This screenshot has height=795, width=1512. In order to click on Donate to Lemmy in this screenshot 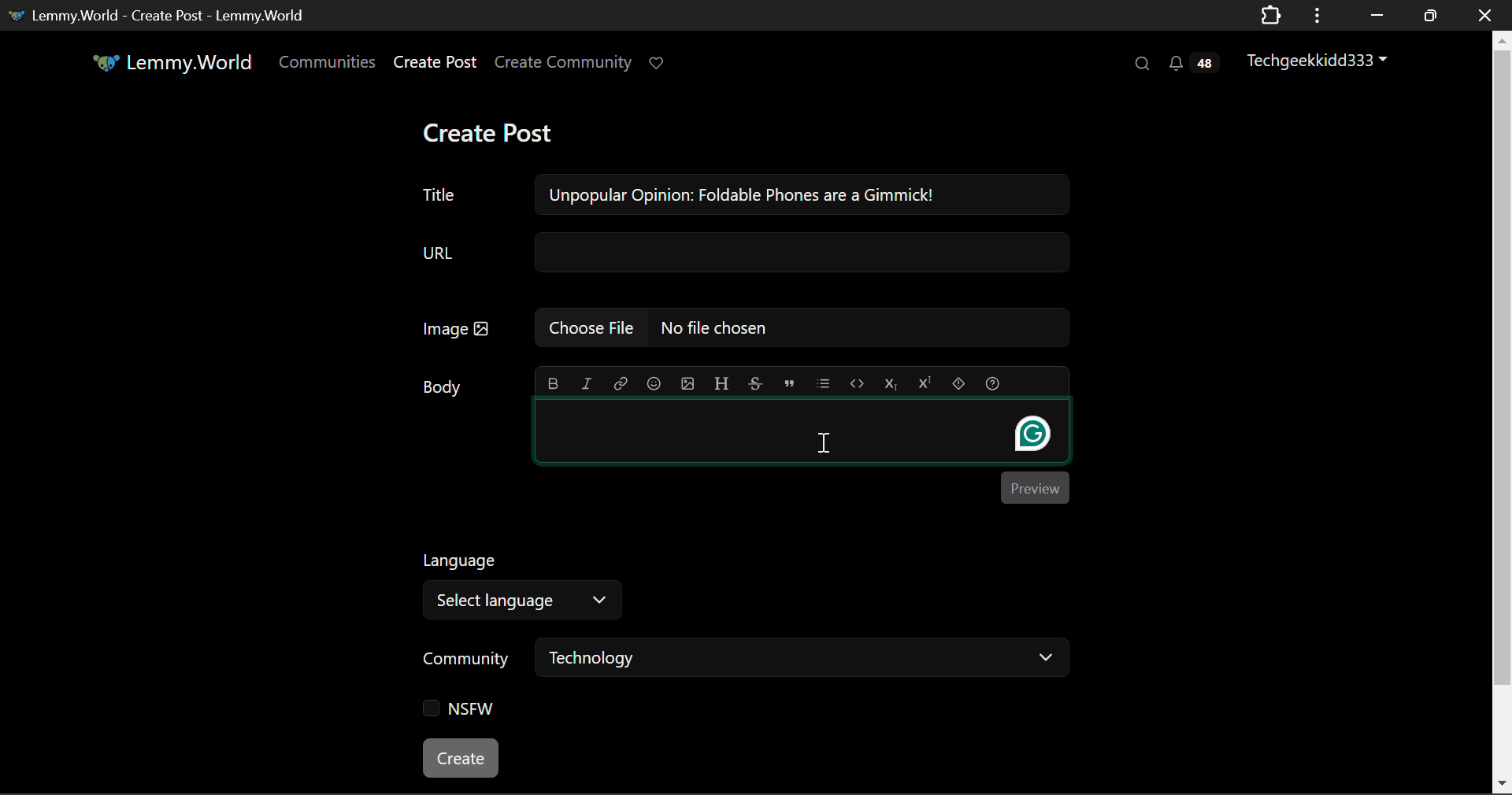, I will do `click(658, 64)`.